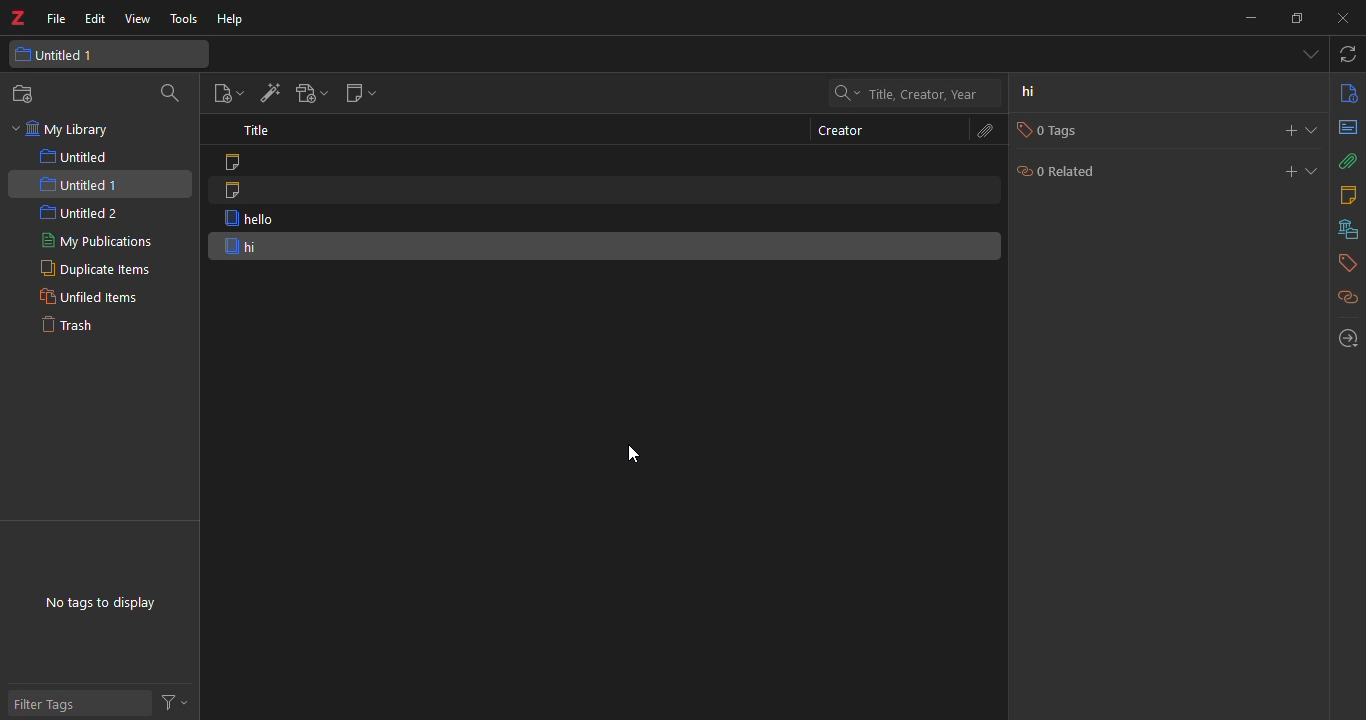 This screenshot has height=720, width=1366. What do you see at coordinates (183, 19) in the screenshot?
I see `tools` at bounding box center [183, 19].